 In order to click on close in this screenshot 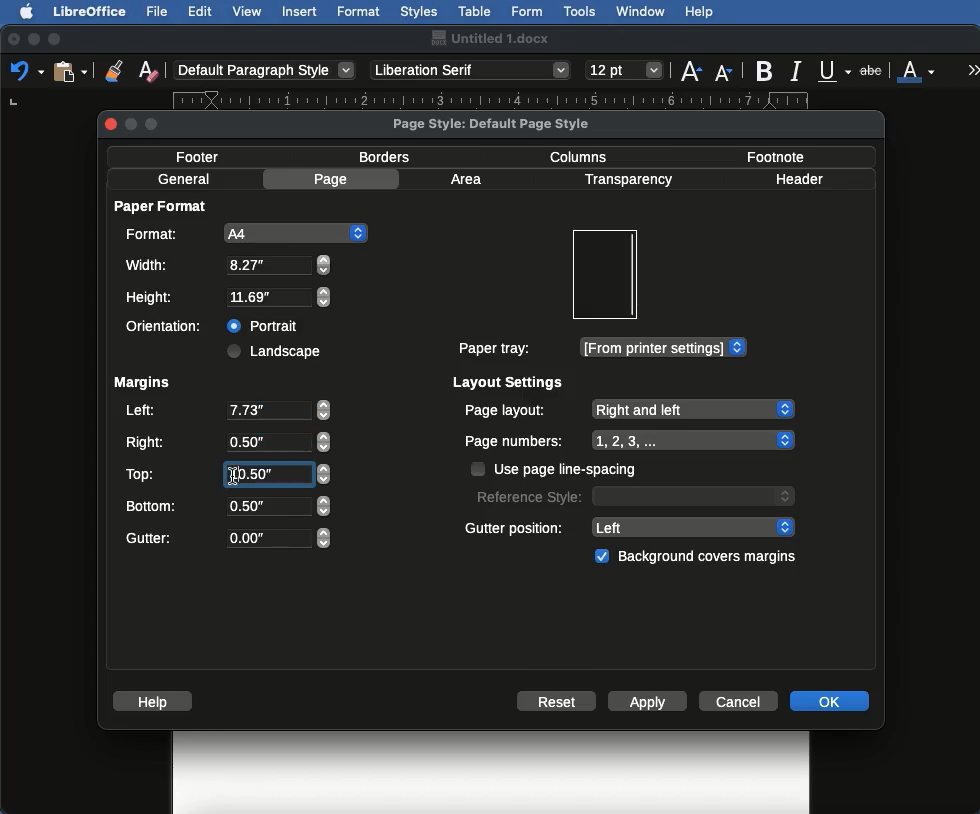, I will do `click(112, 128)`.